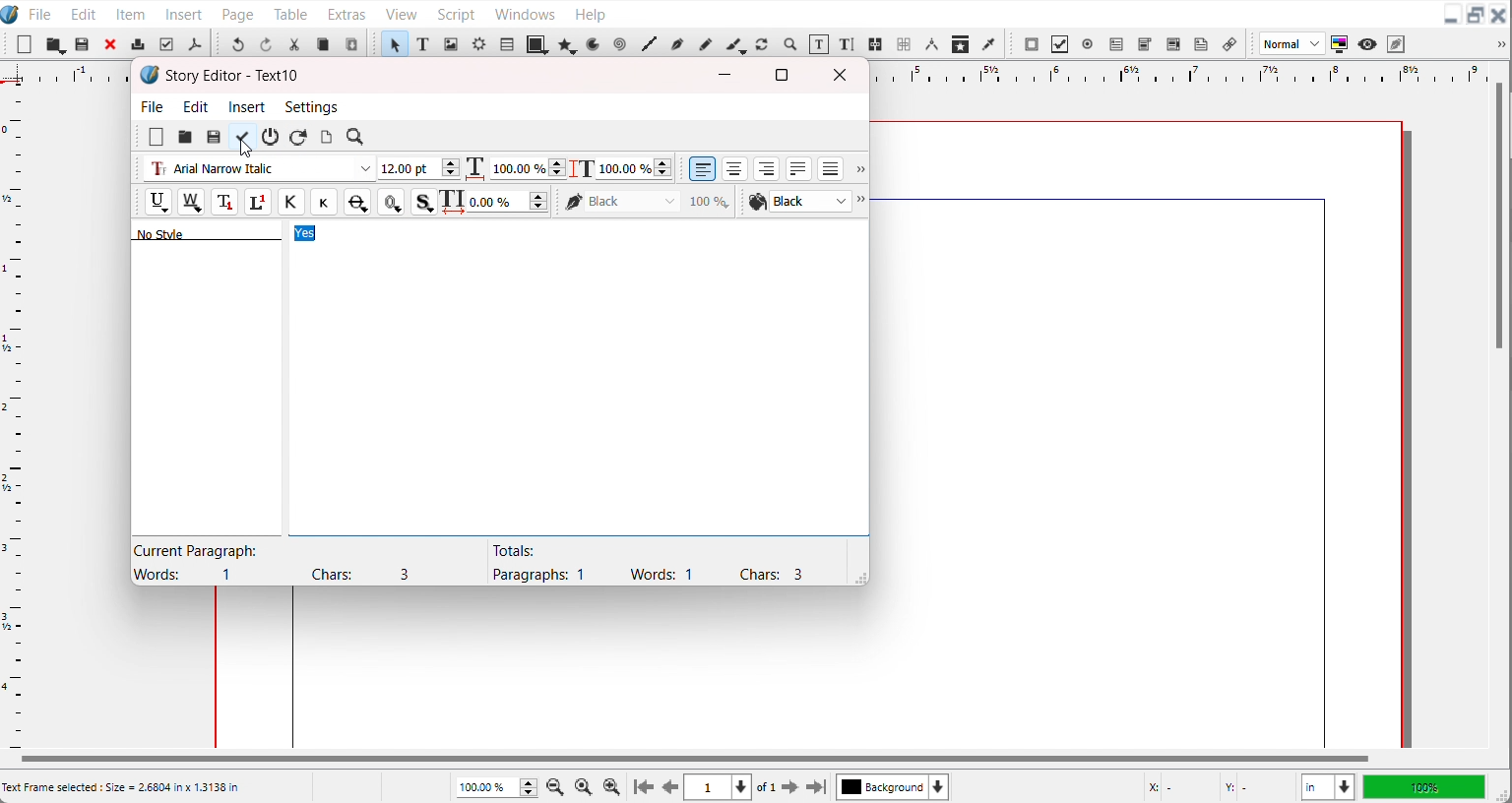 This screenshot has height=803, width=1512. I want to click on Help, so click(590, 13).